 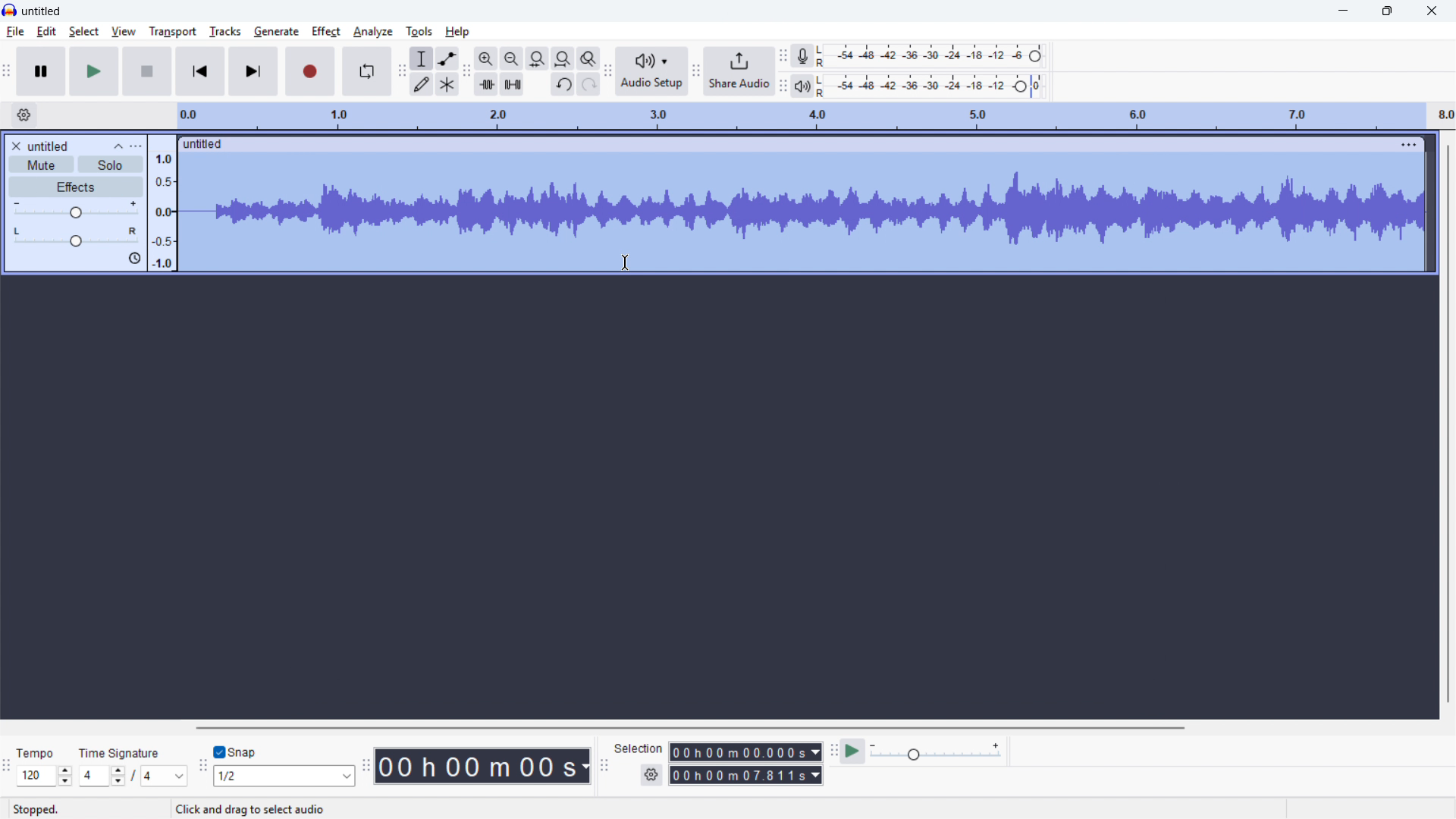 What do you see at coordinates (787, 143) in the screenshot?
I see `Click to drag ` at bounding box center [787, 143].